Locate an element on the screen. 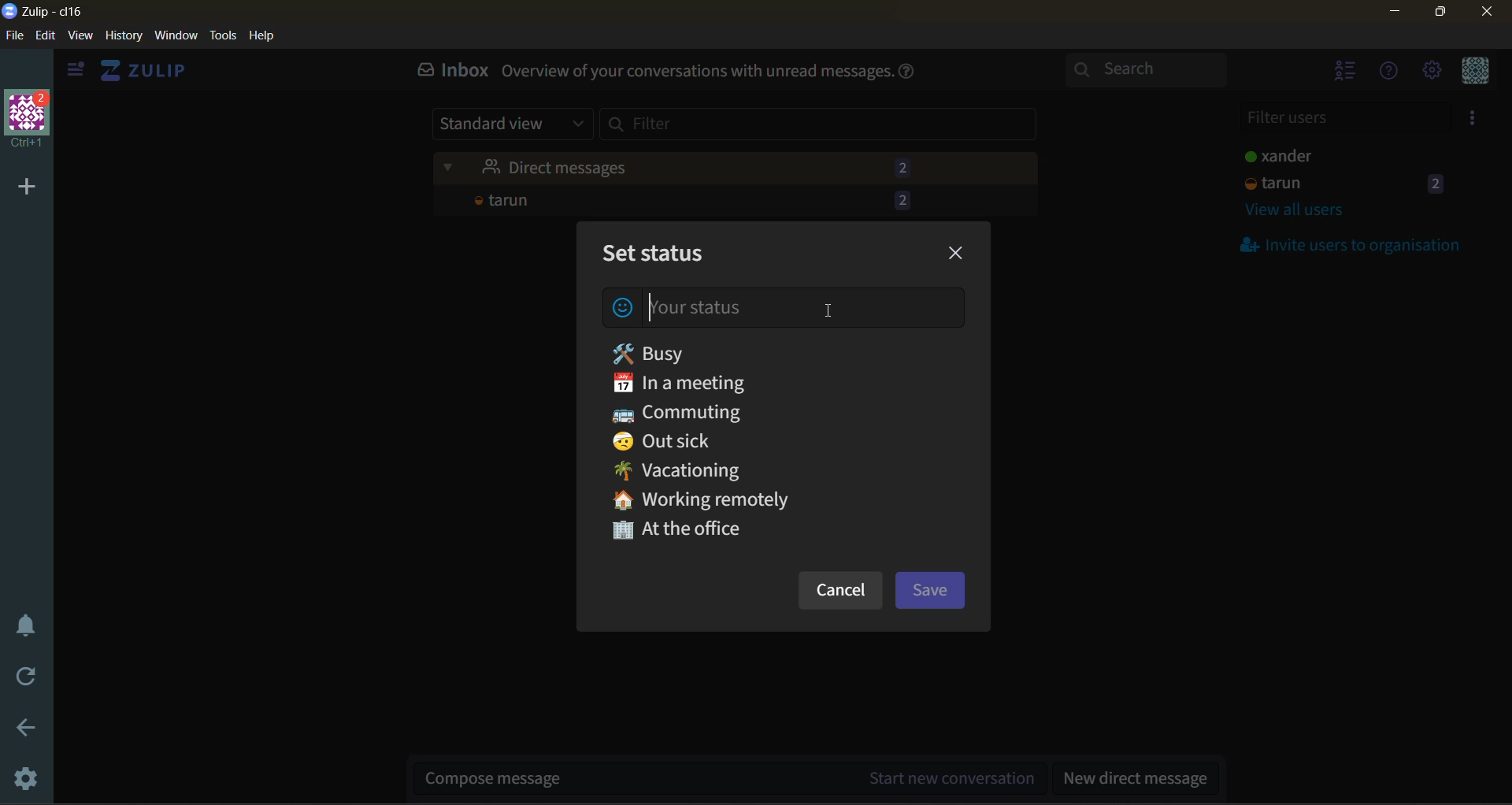 This screenshot has height=805, width=1512. Commuting is located at coordinates (687, 410).